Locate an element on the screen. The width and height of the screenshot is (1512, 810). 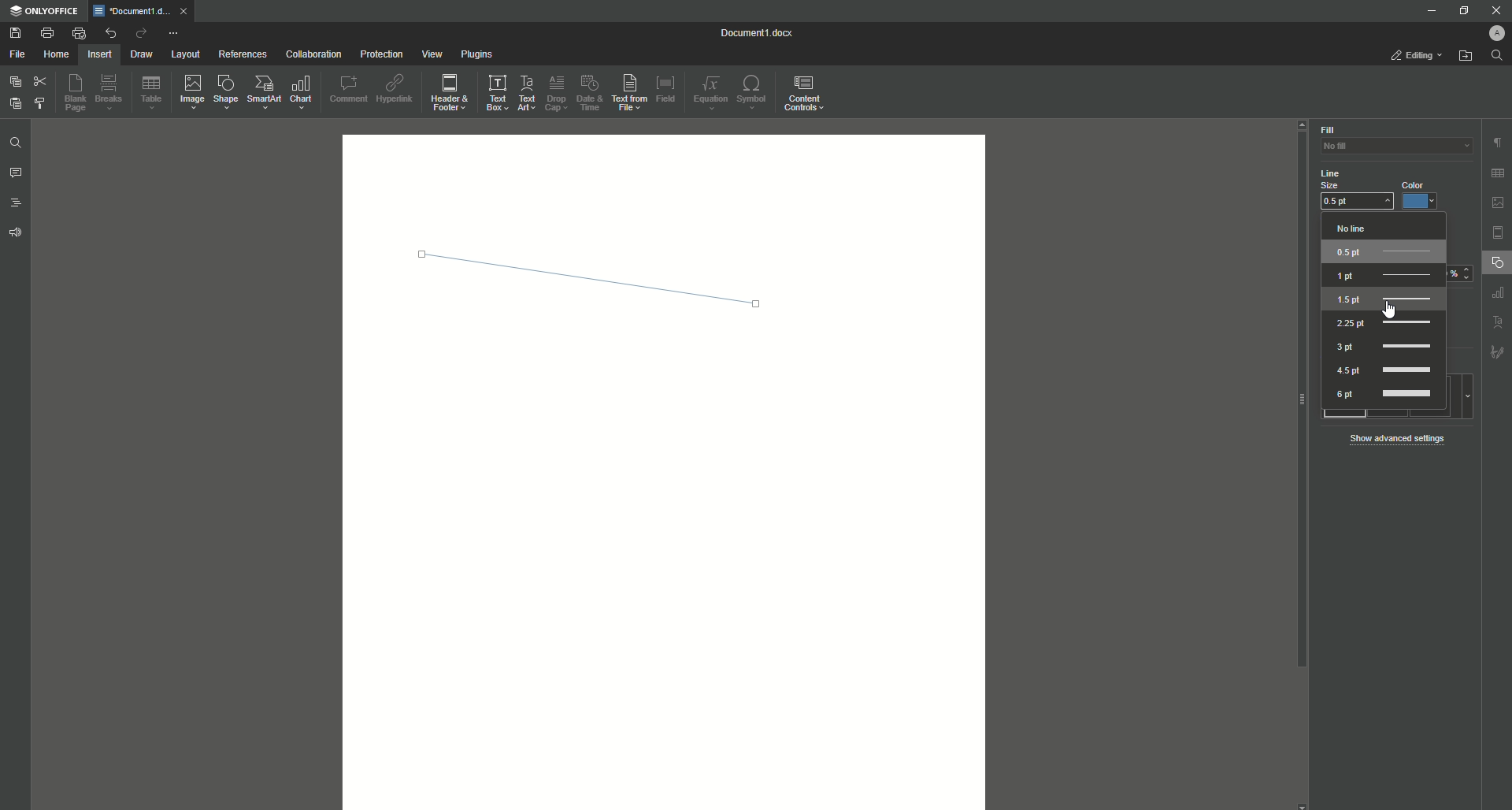
Collaboration is located at coordinates (316, 54).